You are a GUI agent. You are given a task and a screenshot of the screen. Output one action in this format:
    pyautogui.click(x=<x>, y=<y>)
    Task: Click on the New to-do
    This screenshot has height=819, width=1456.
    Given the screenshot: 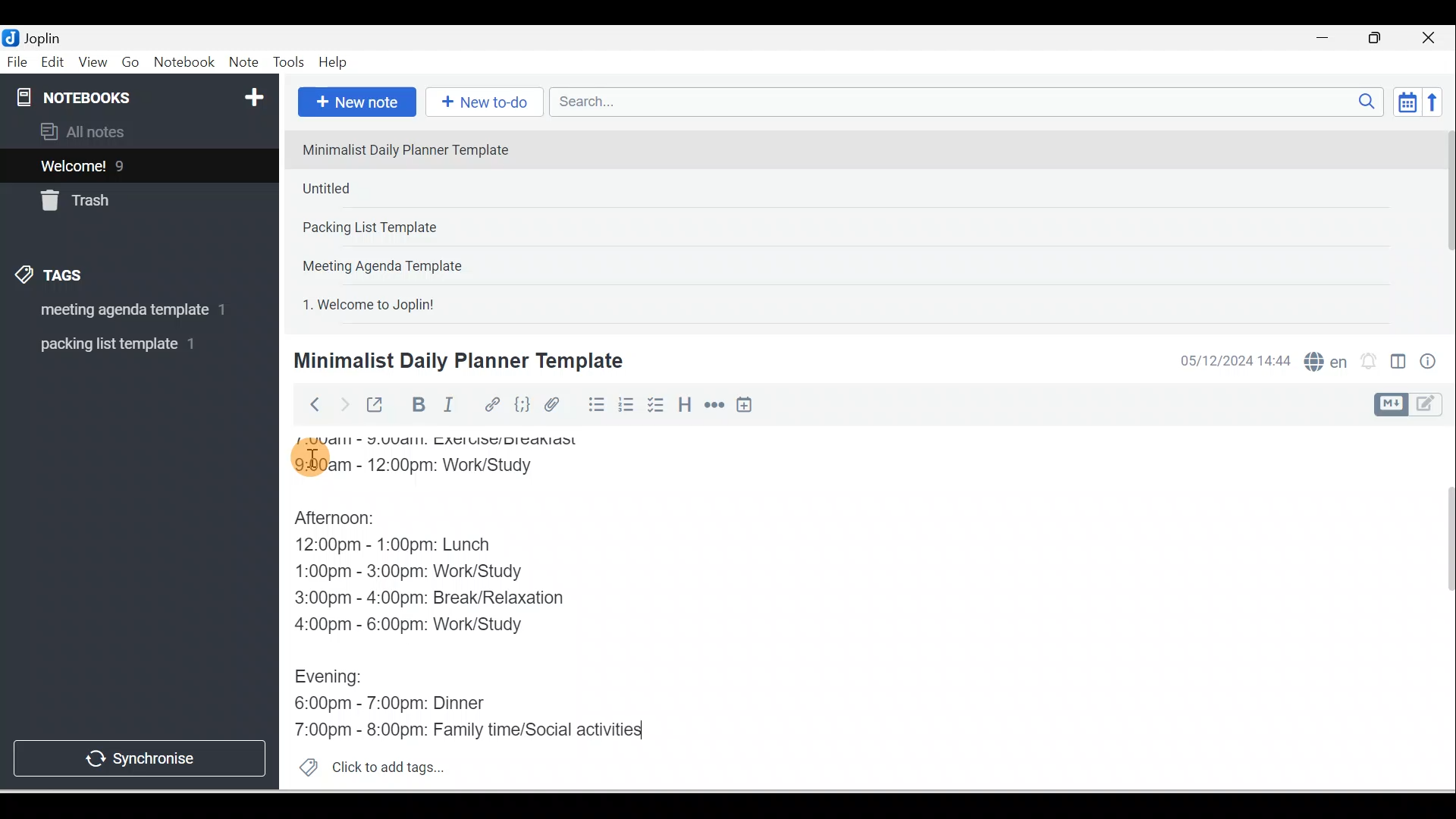 What is the action you would take?
    pyautogui.click(x=481, y=103)
    